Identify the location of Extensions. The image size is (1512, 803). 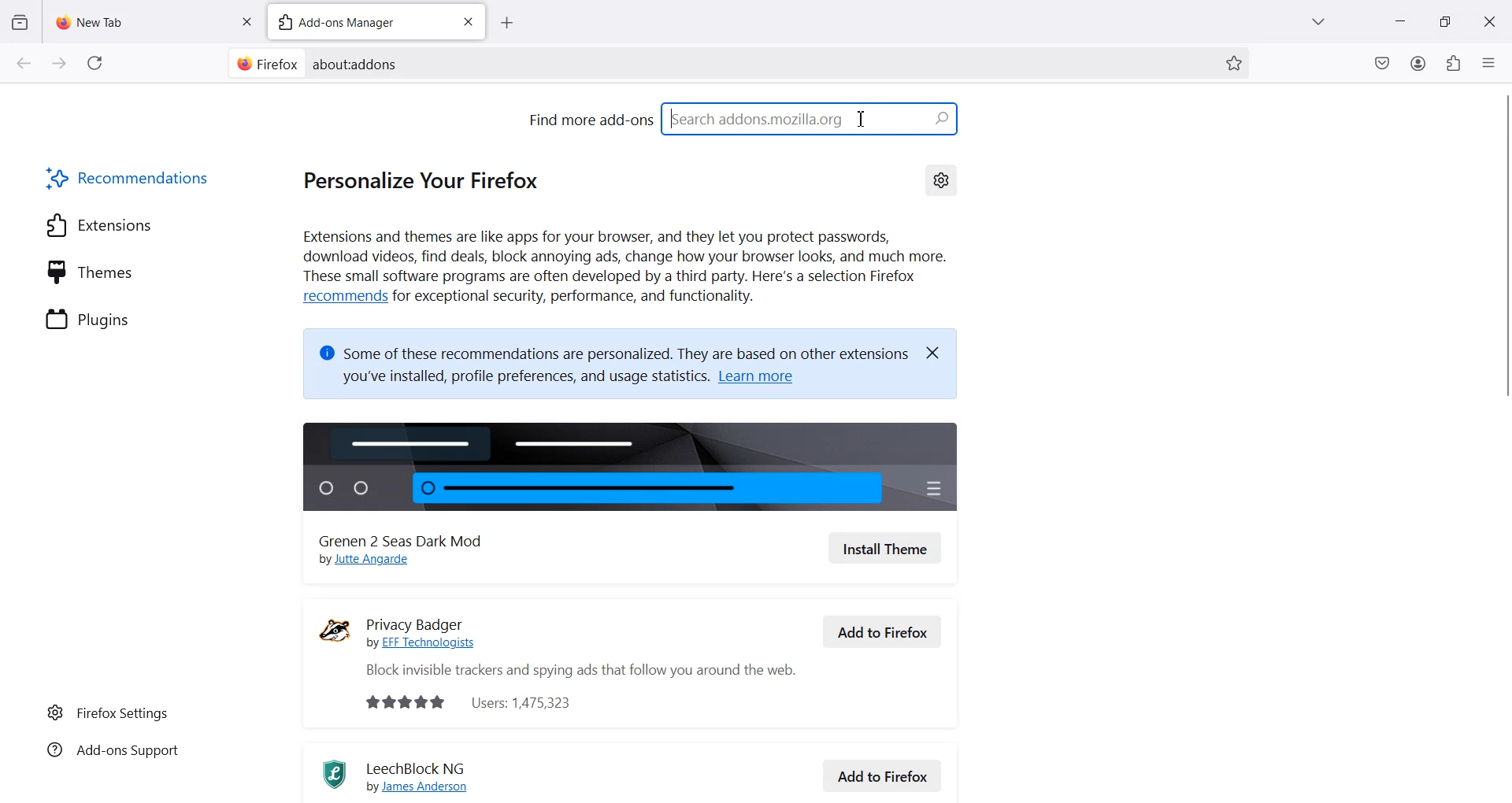
(99, 224).